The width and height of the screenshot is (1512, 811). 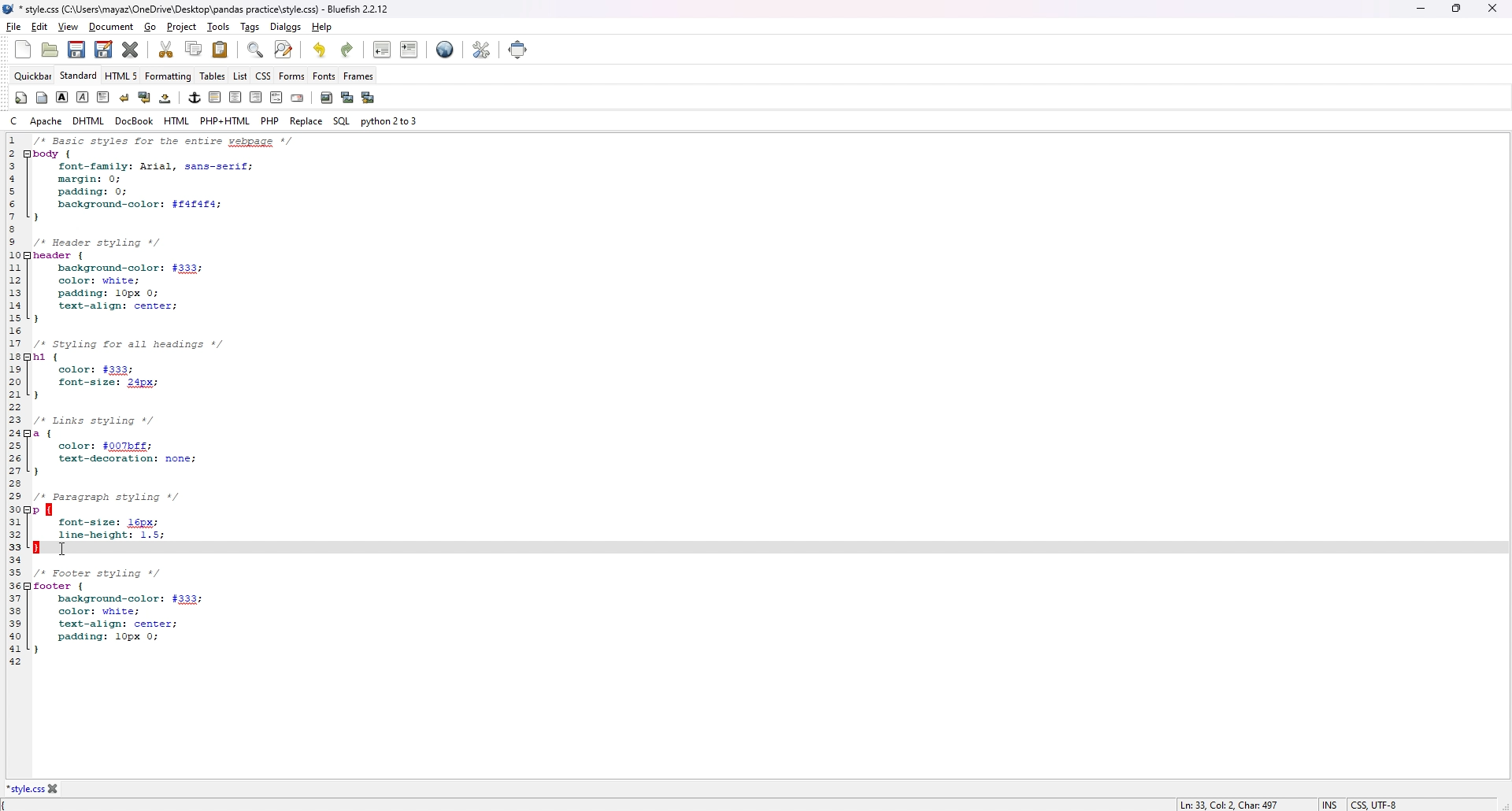 What do you see at coordinates (33, 76) in the screenshot?
I see `quickbar` at bounding box center [33, 76].